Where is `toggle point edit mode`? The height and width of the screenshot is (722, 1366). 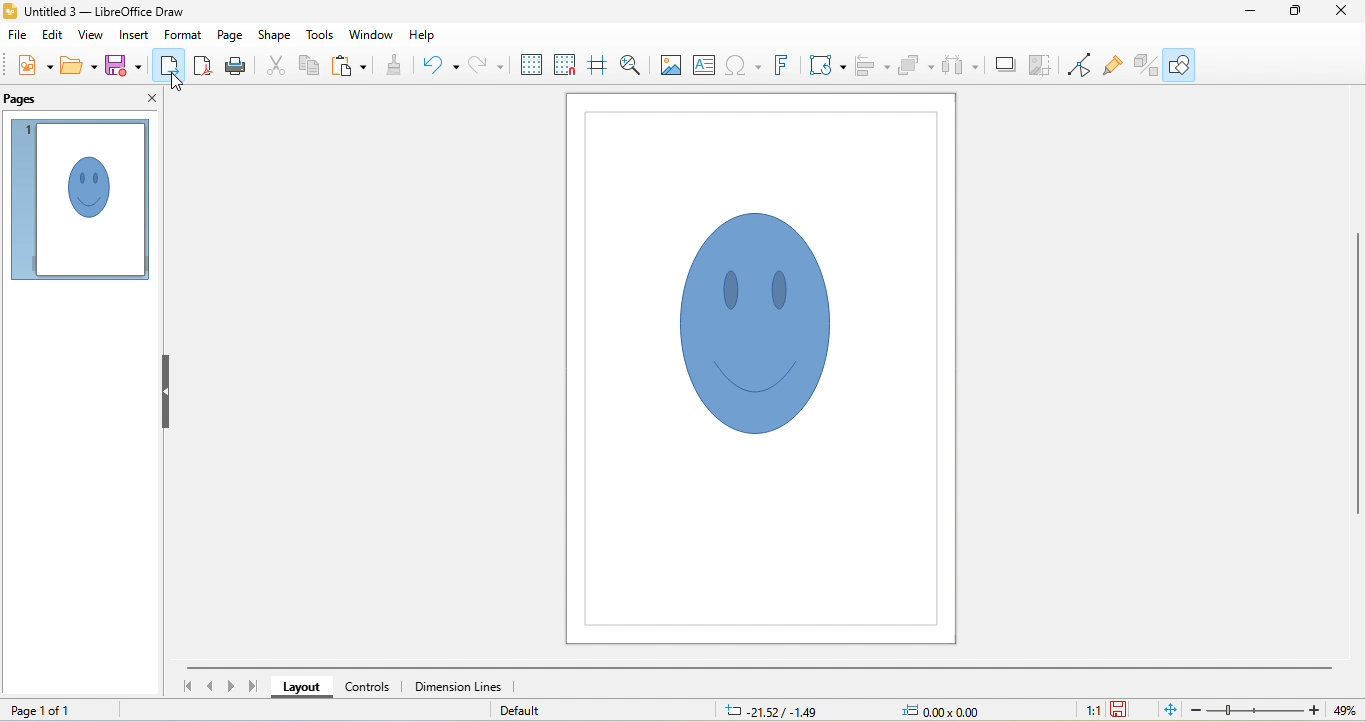
toggle point edit mode is located at coordinates (1080, 67).